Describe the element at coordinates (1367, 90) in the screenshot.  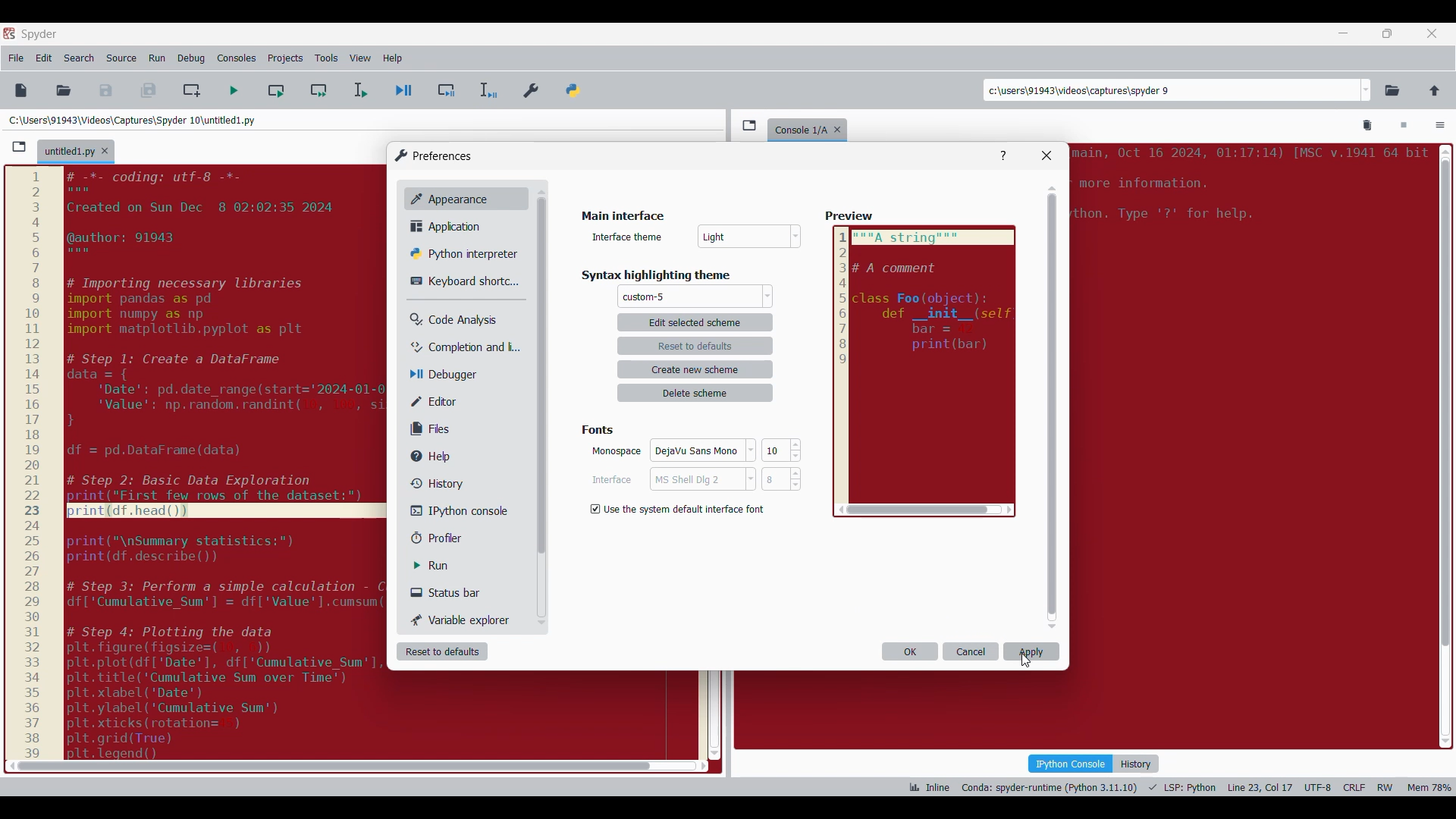
I see `Location options` at that location.